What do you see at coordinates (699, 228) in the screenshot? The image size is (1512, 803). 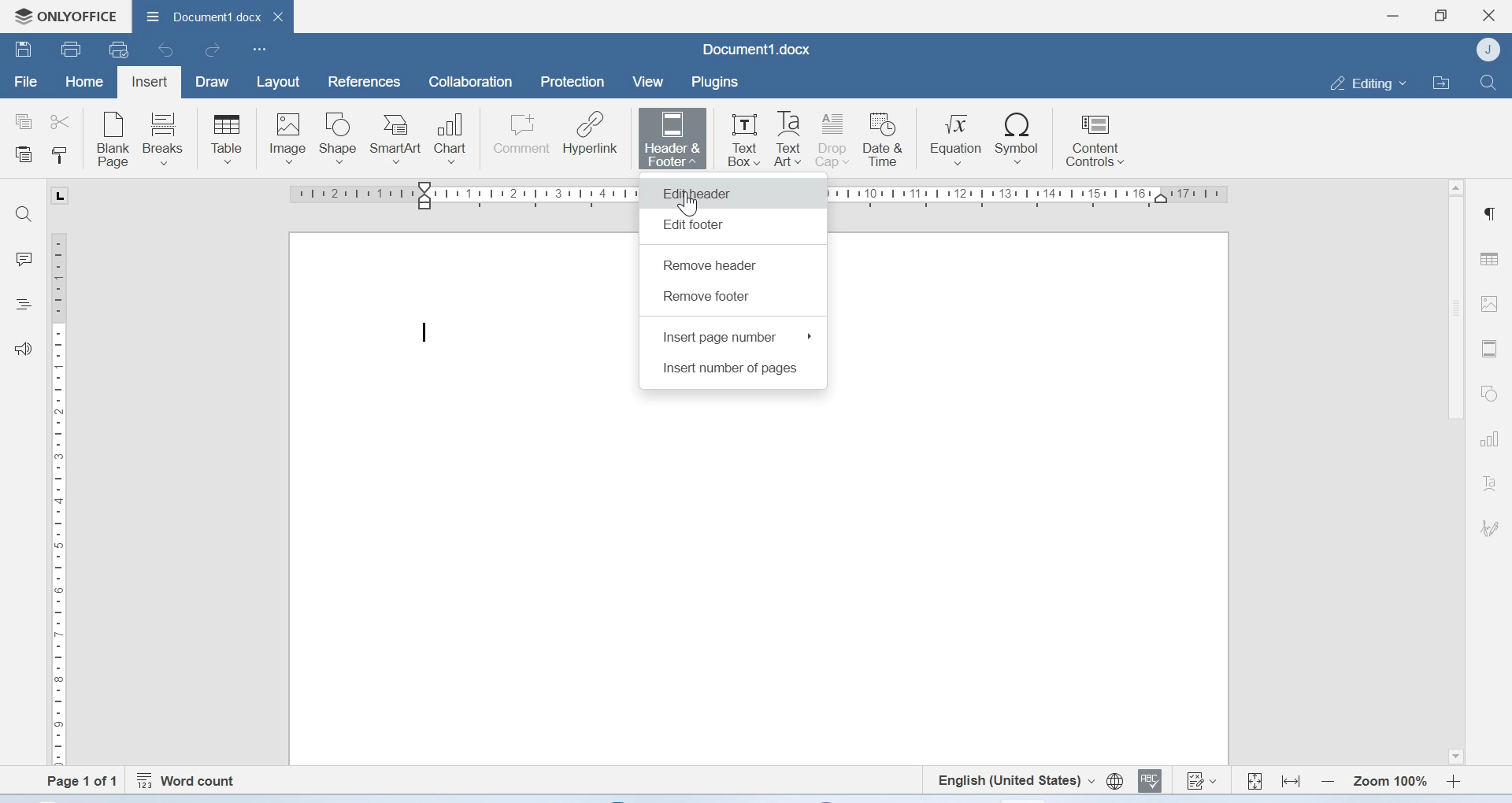 I see `Edit footer` at bounding box center [699, 228].